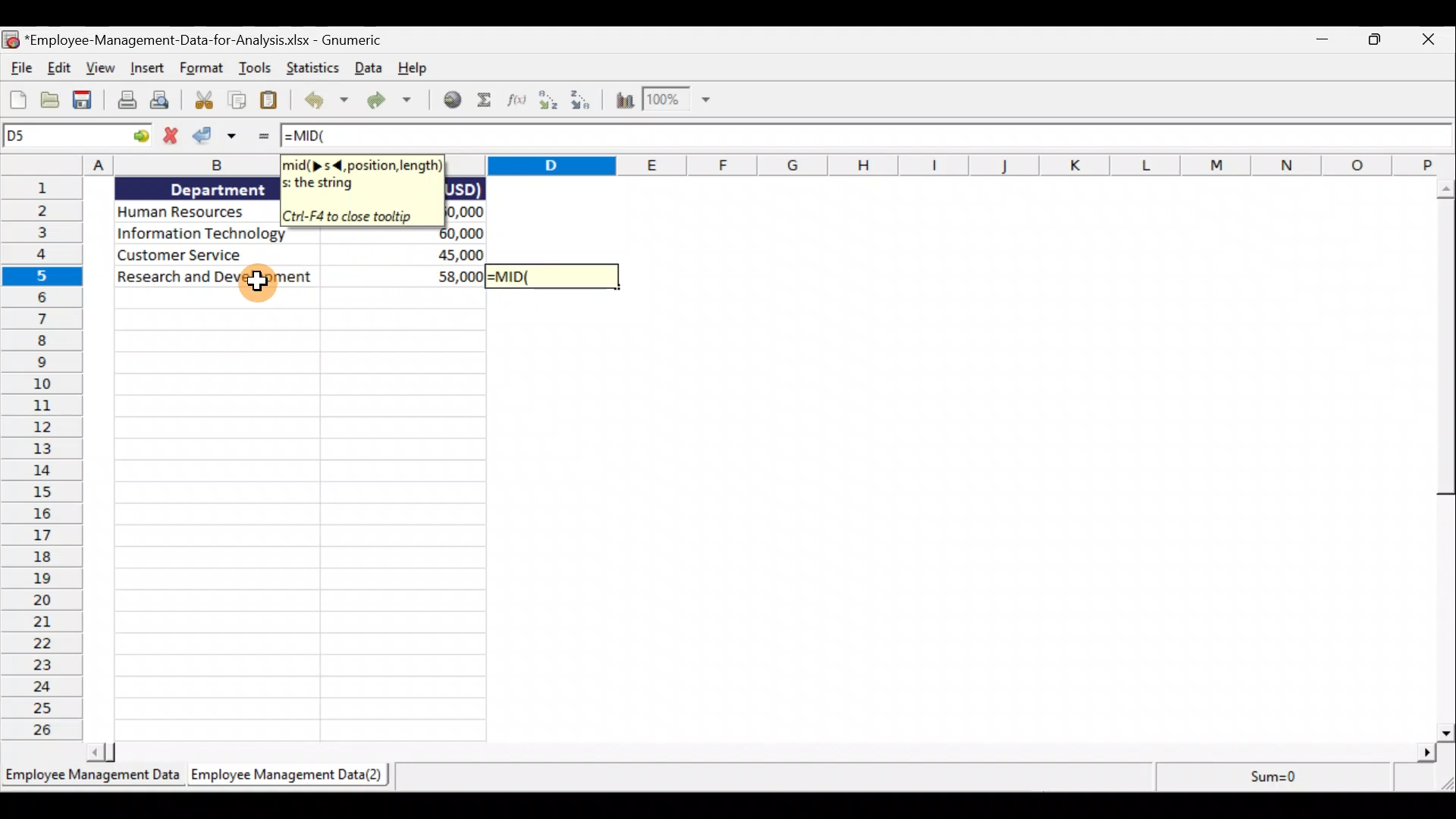  I want to click on Edit, so click(61, 70).